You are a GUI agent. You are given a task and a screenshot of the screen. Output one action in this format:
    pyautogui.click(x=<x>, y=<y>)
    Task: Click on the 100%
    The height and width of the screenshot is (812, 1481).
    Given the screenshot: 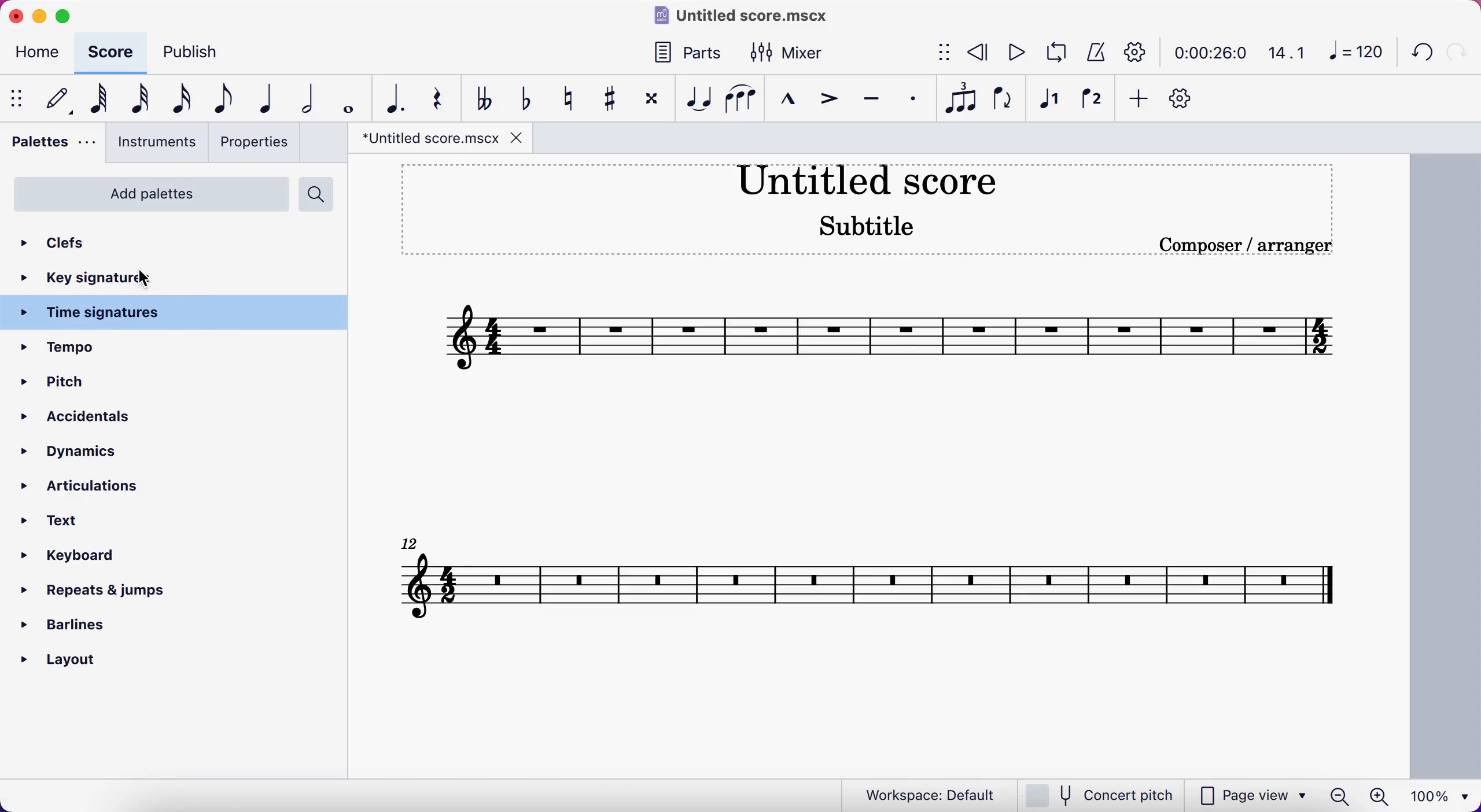 What is the action you would take?
    pyautogui.click(x=1442, y=796)
    